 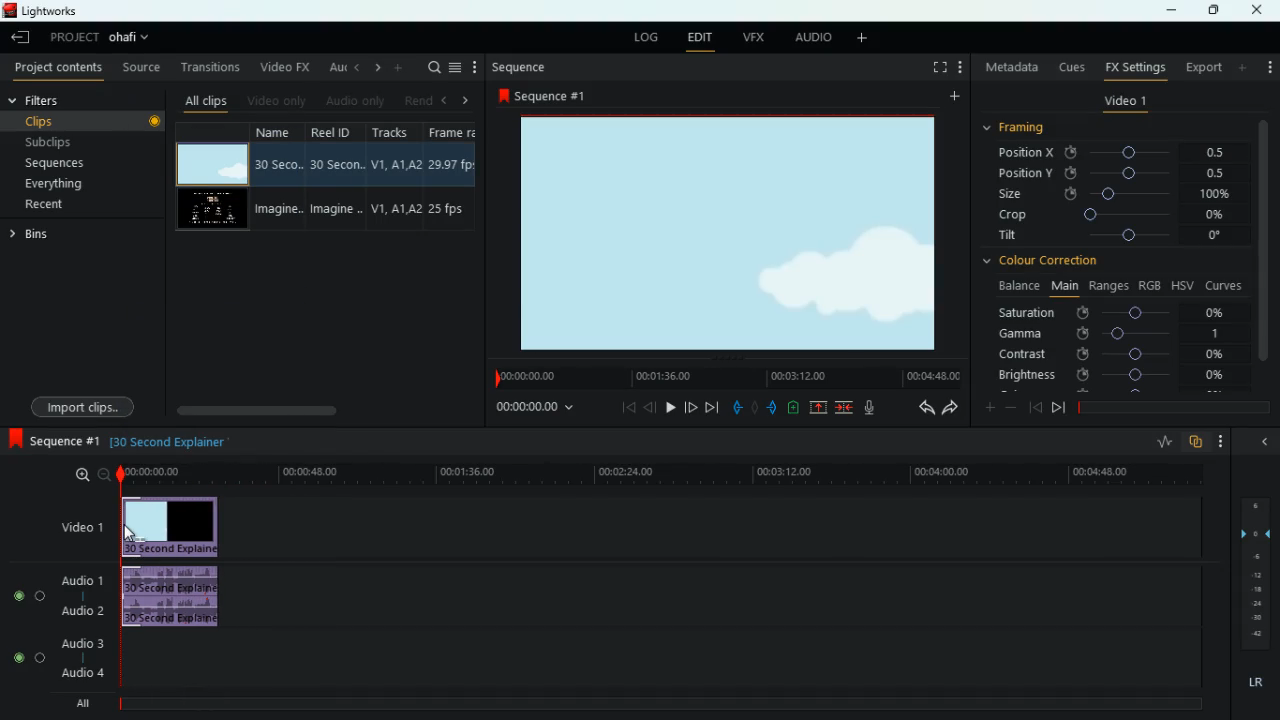 I want to click on video, so click(x=213, y=163).